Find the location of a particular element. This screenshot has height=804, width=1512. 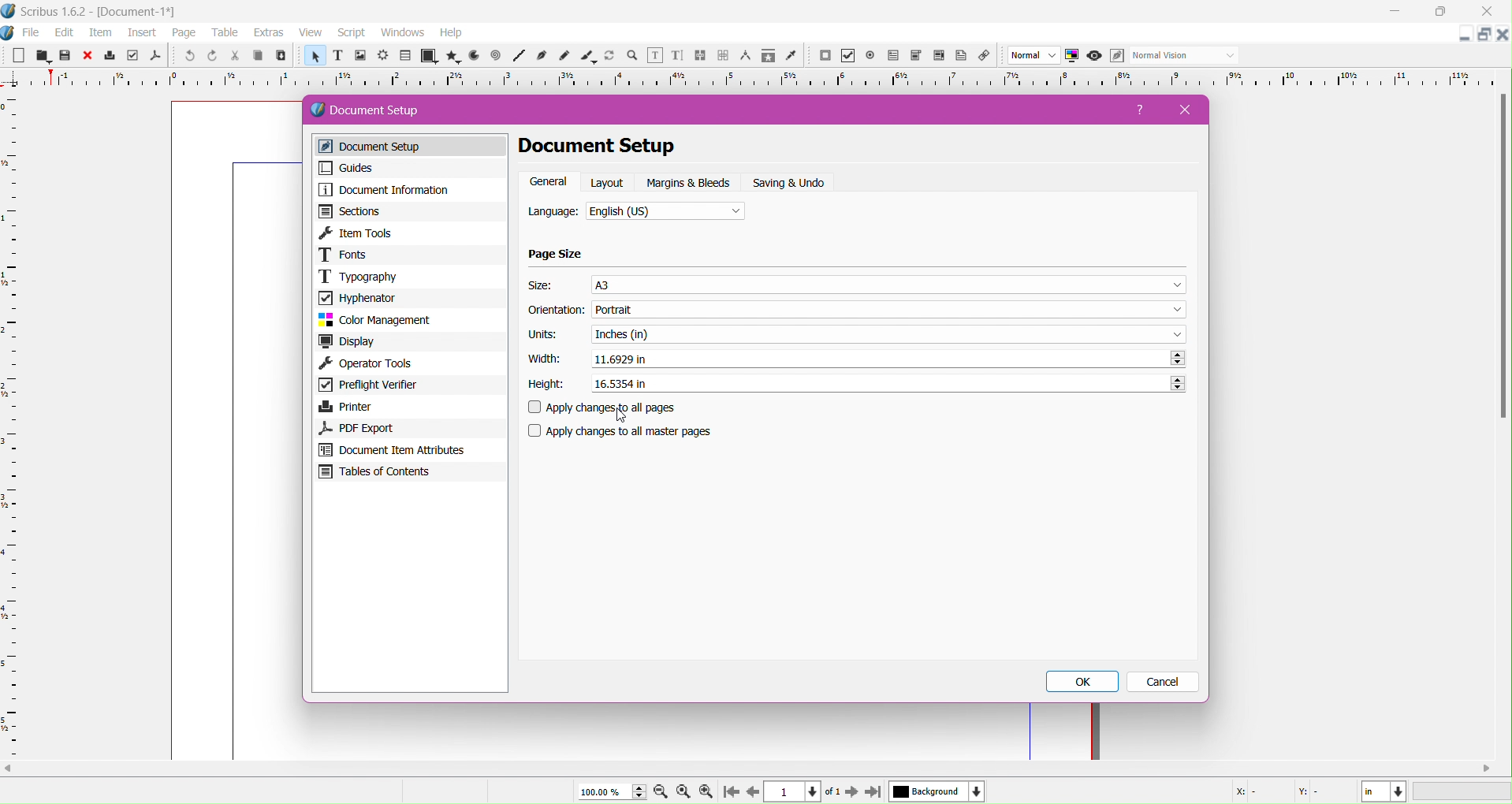

OK is located at coordinates (1085, 682).